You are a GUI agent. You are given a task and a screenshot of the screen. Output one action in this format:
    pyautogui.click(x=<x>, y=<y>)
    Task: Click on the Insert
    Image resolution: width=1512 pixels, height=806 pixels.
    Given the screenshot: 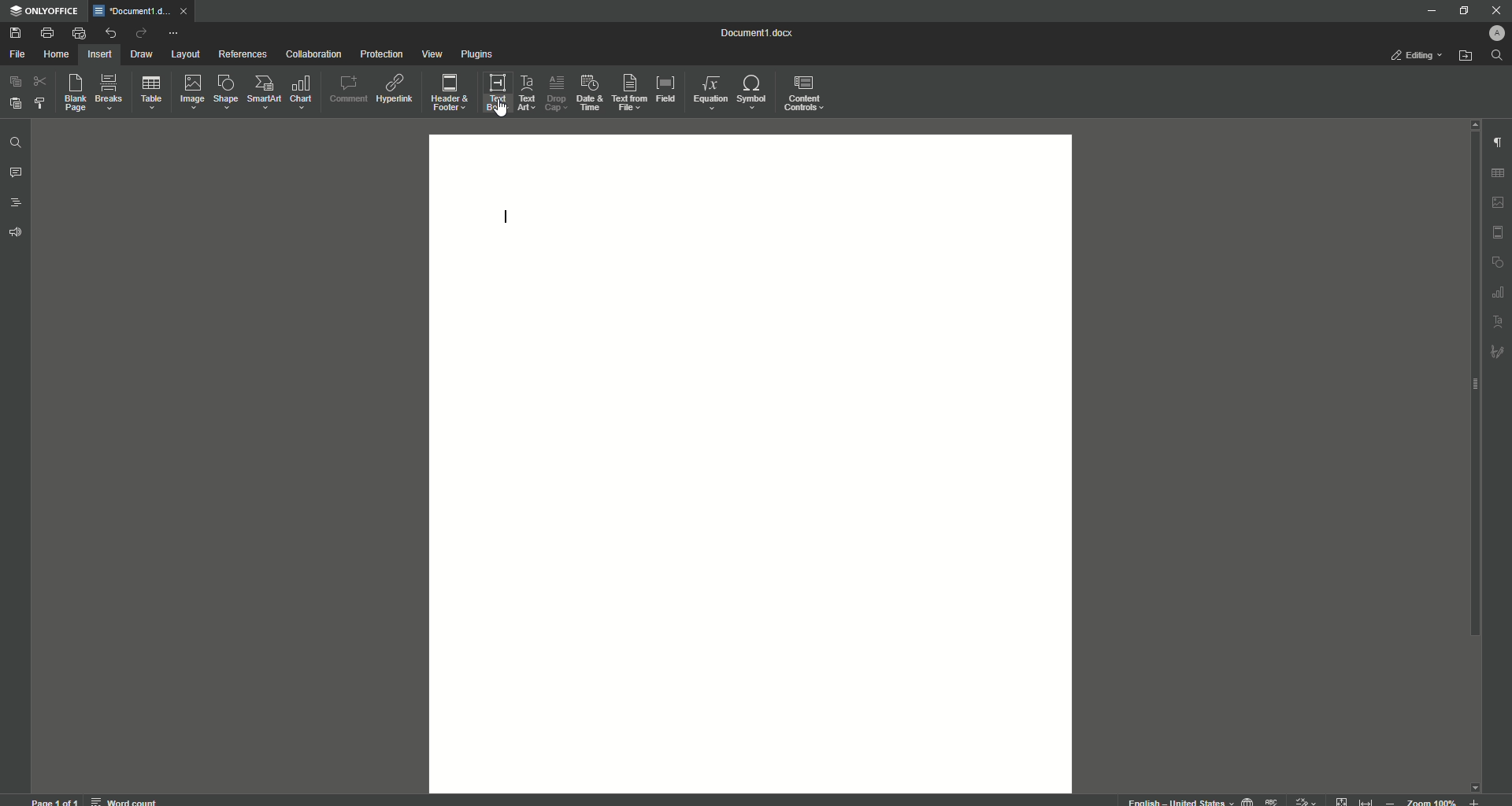 What is the action you would take?
    pyautogui.click(x=98, y=54)
    